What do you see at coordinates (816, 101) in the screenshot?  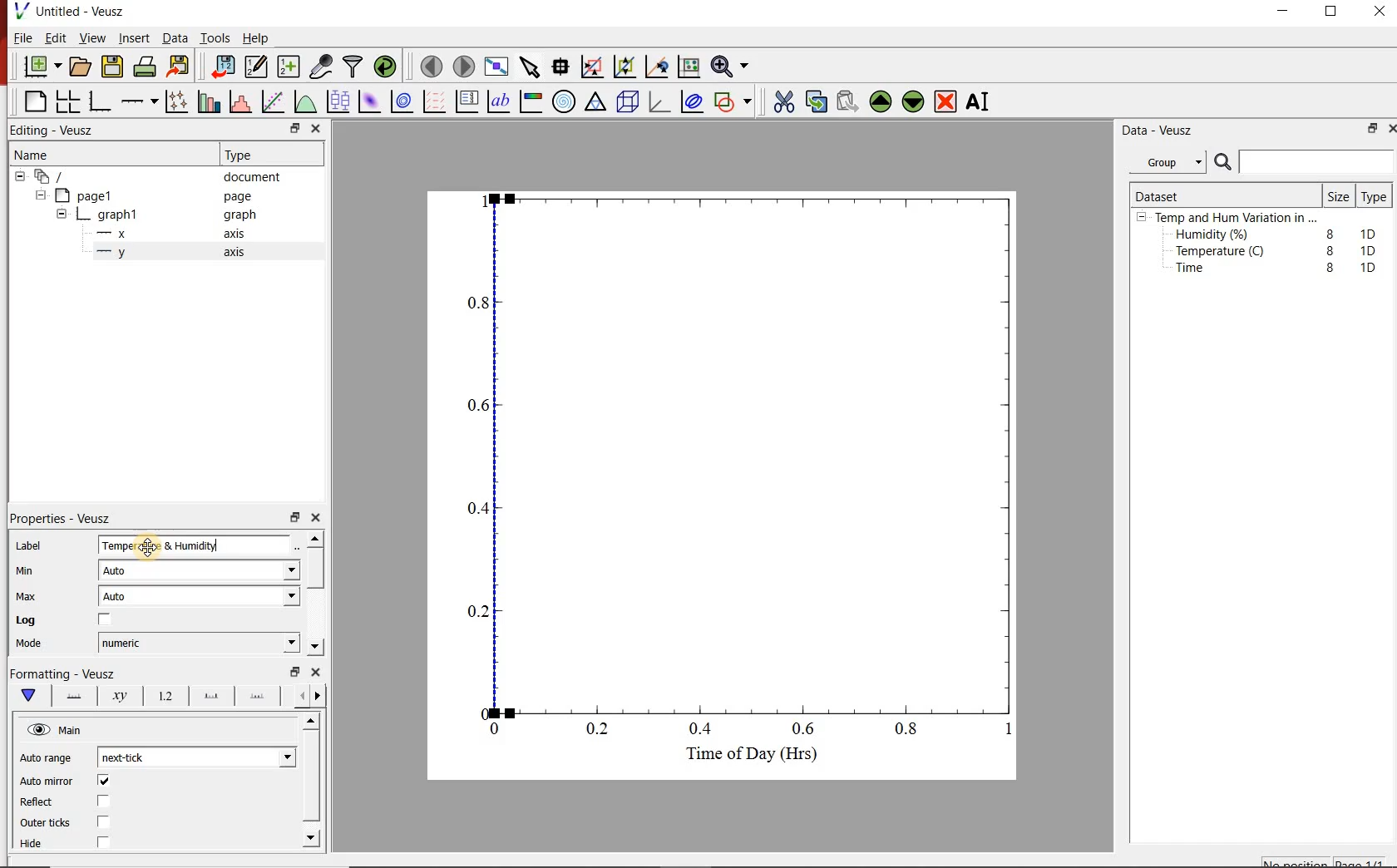 I see `copy the selected widget` at bounding box center [816, 101].